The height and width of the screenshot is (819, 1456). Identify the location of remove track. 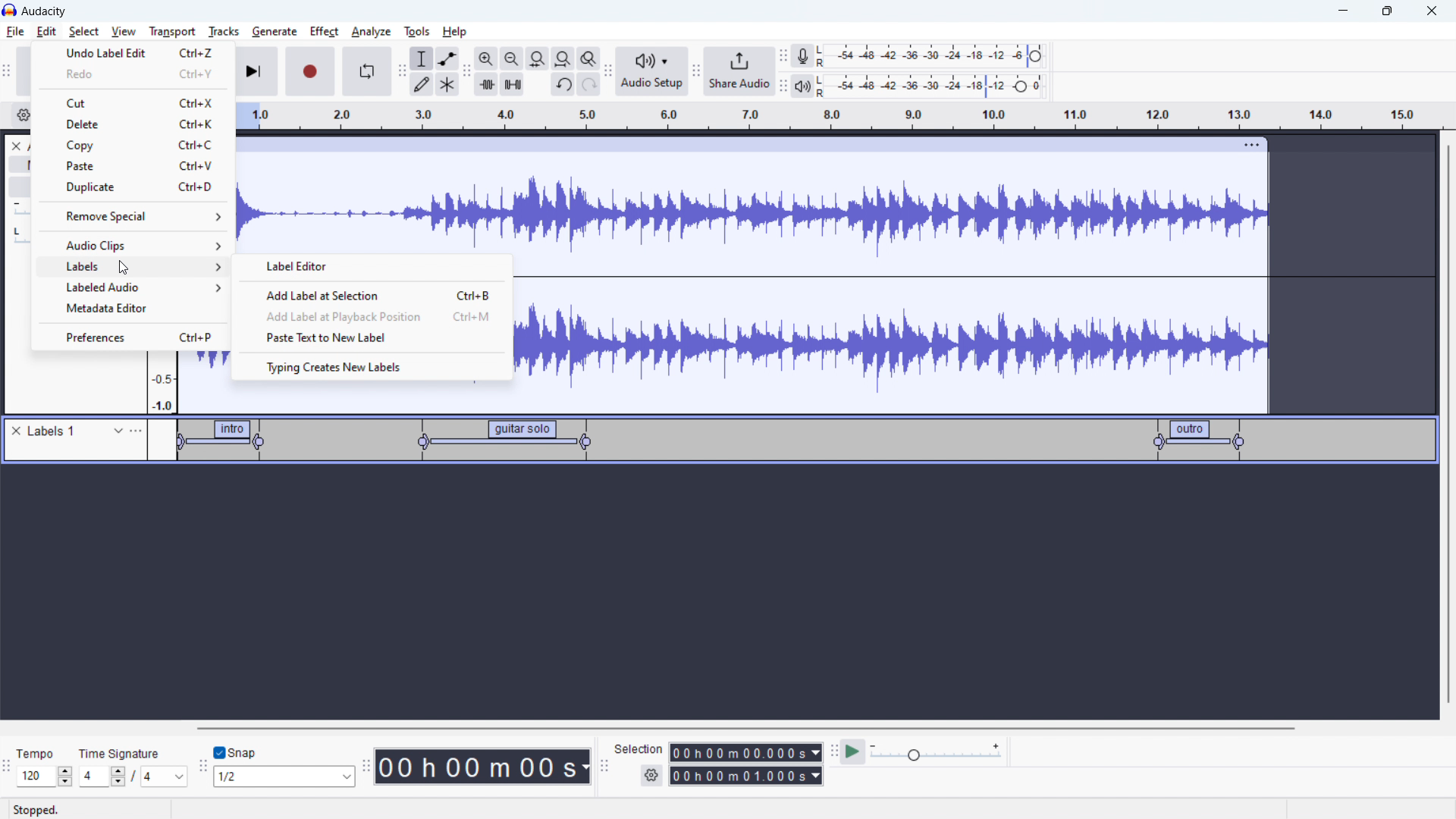
(16, 146).